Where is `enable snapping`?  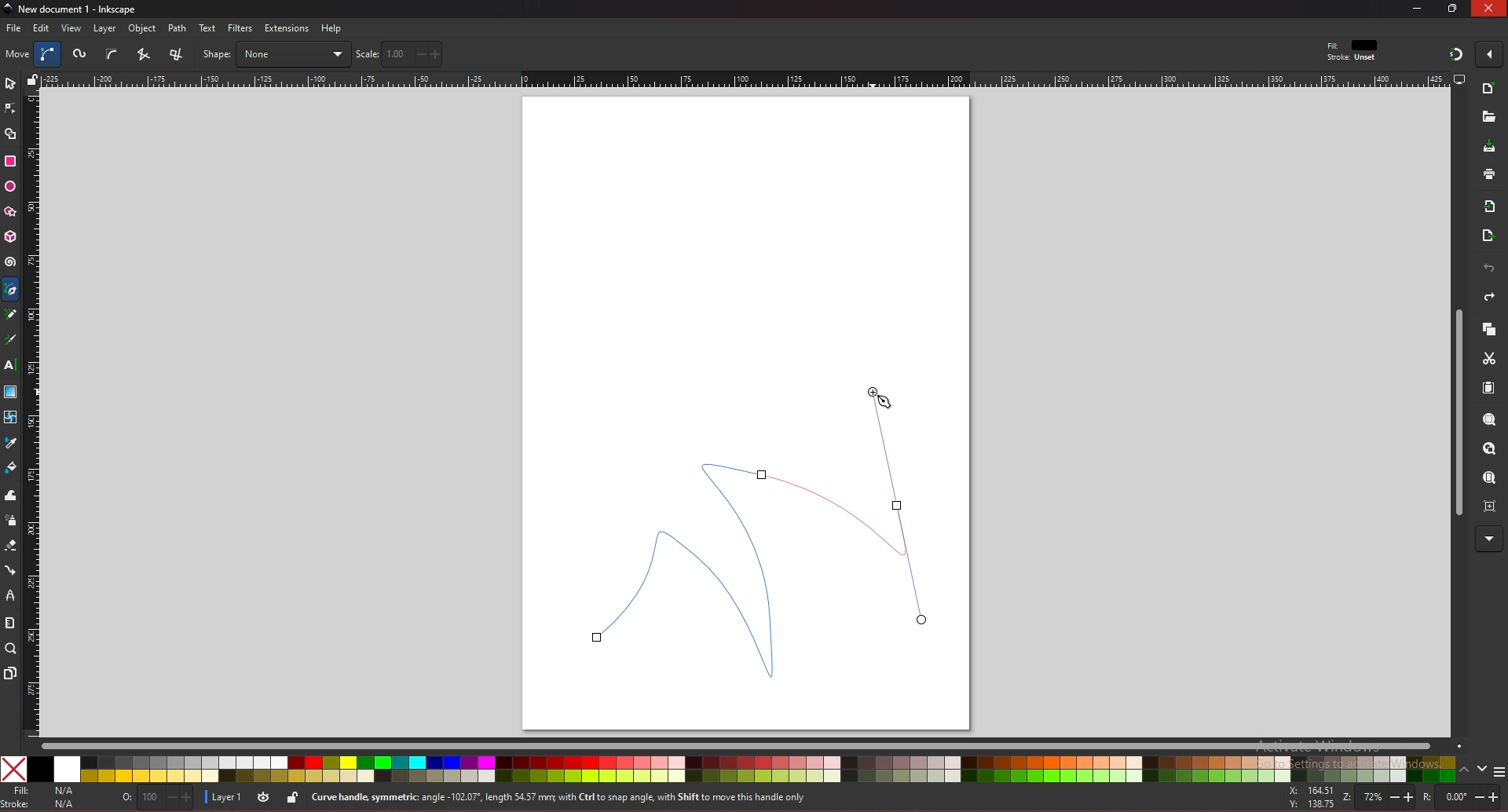
enable snapping is located at coordinates (1489, 53).